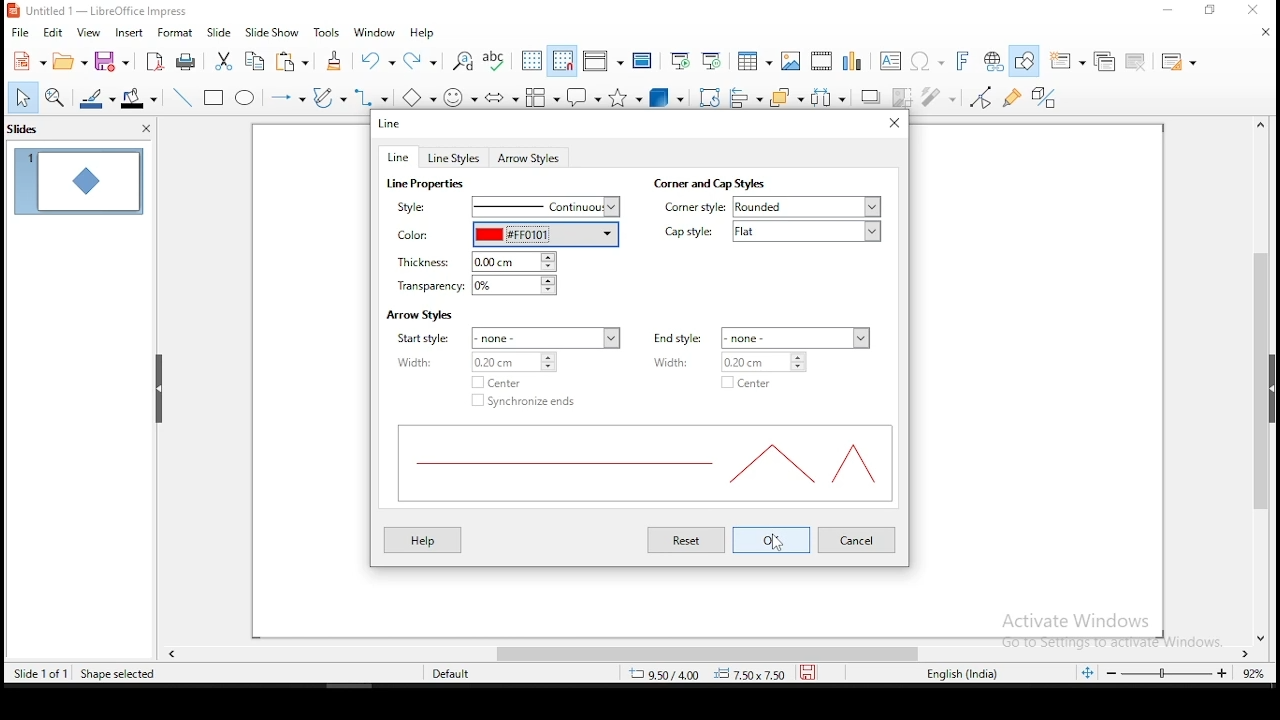 The width and height of the screenshot is (1280, 720). Describe the element at coordinates (423, 59) in the screenshot. I see `redo` at that location.